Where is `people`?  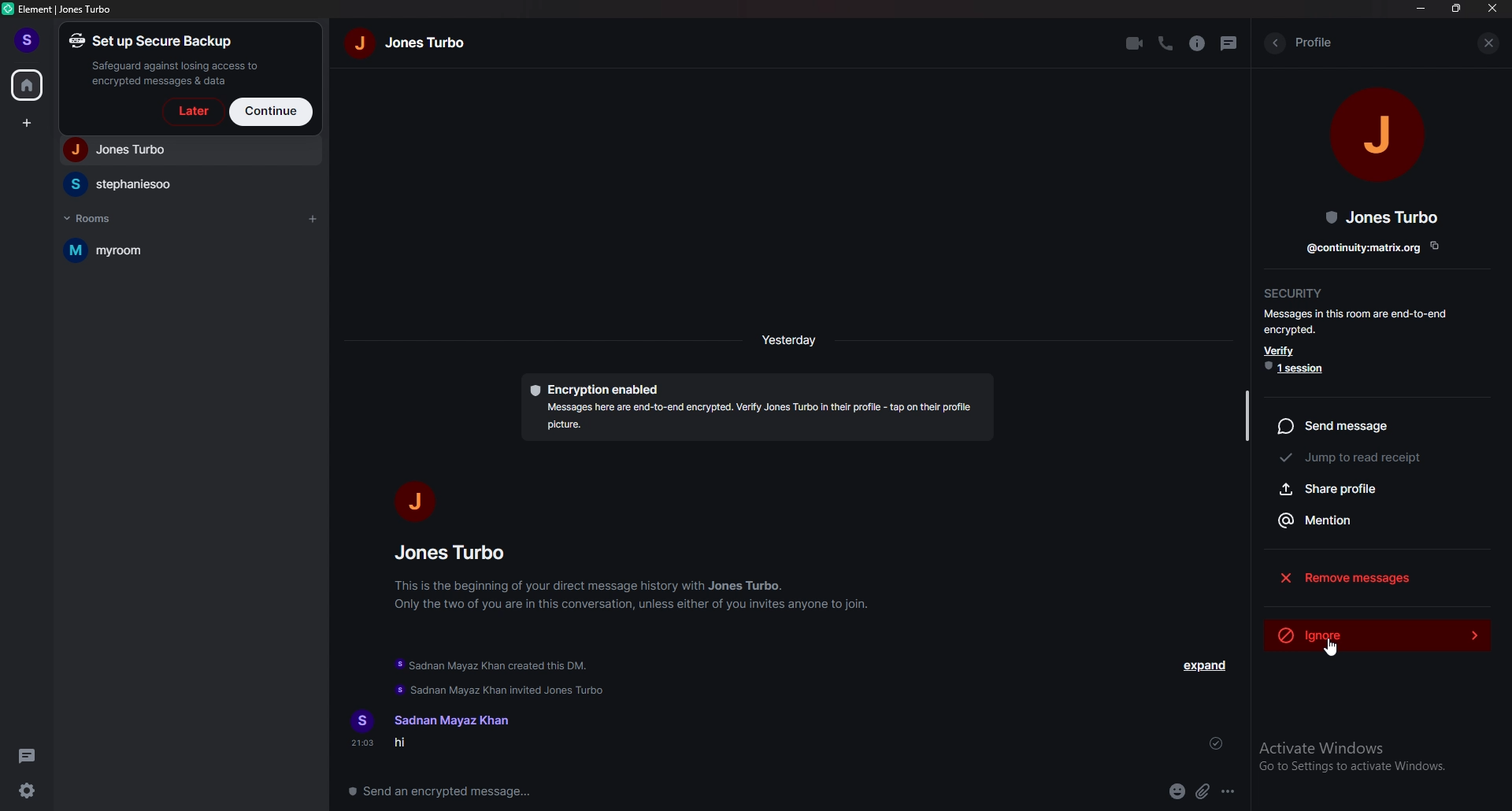
people is located at coordinates (455, 552).